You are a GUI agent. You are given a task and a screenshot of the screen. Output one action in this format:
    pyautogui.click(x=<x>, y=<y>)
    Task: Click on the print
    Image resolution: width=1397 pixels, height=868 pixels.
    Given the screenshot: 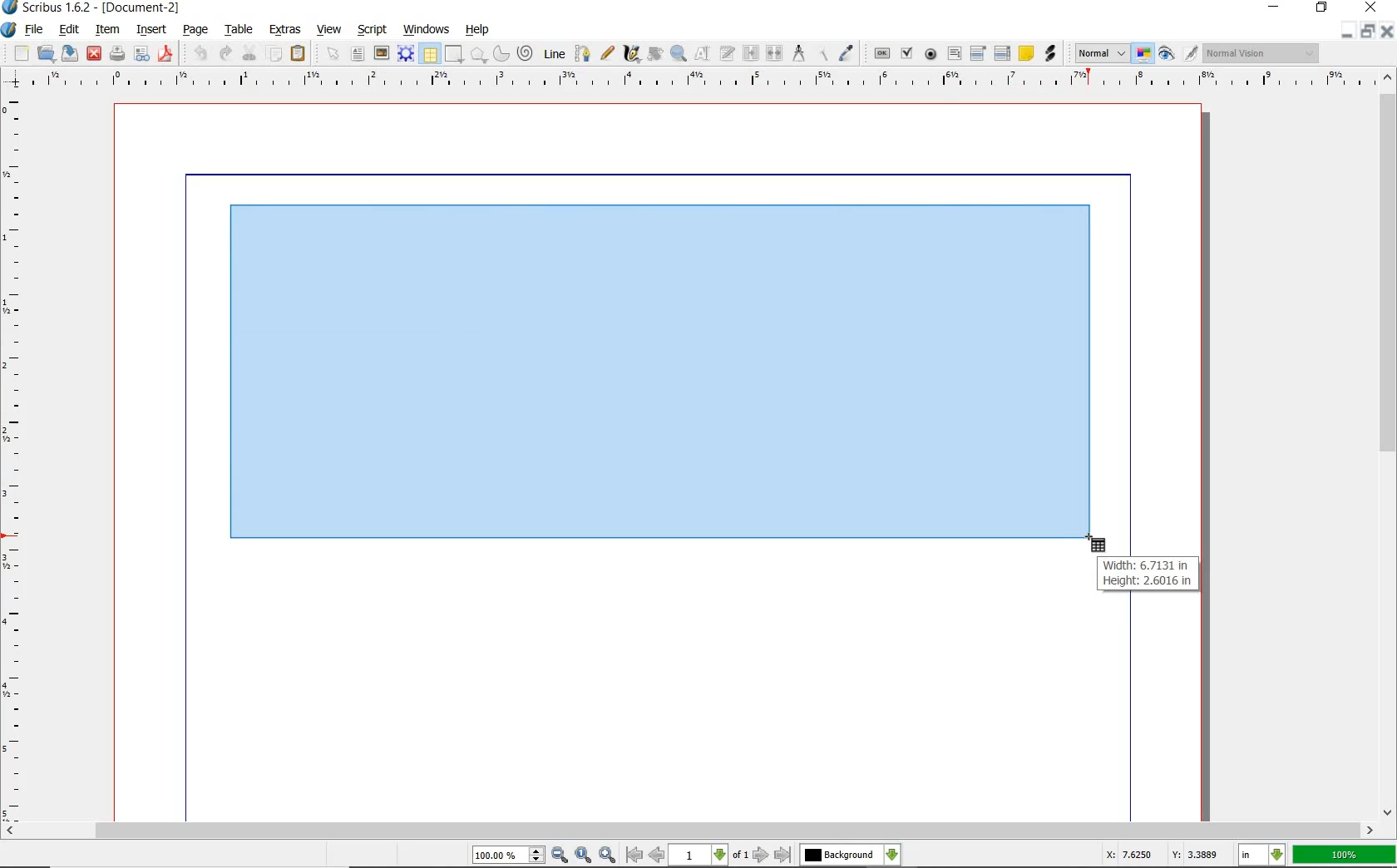 What is the action you would take?
    pyautogui.click(x=116, y=53)
    